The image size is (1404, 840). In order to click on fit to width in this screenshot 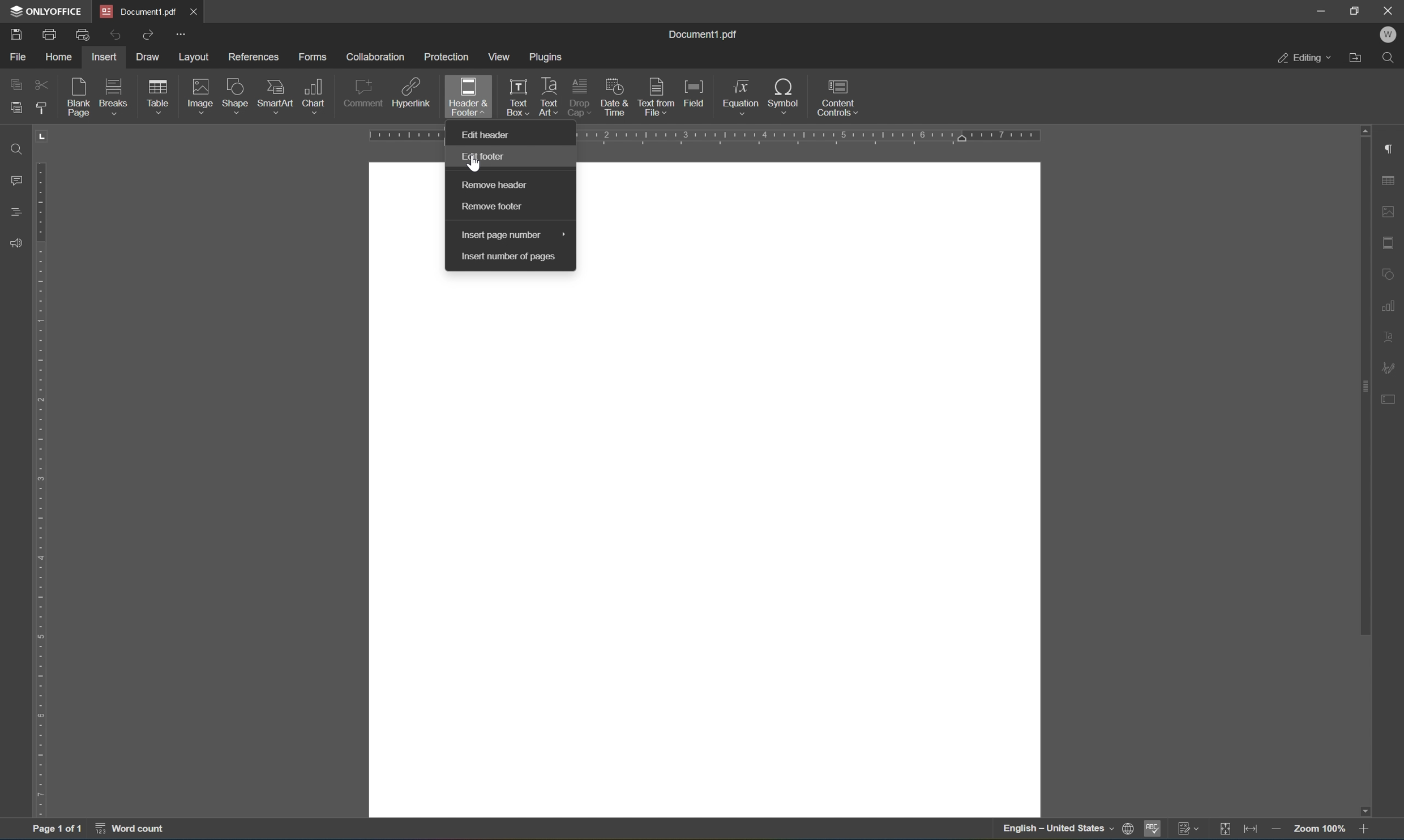, I will do `click(1251, 830)`.